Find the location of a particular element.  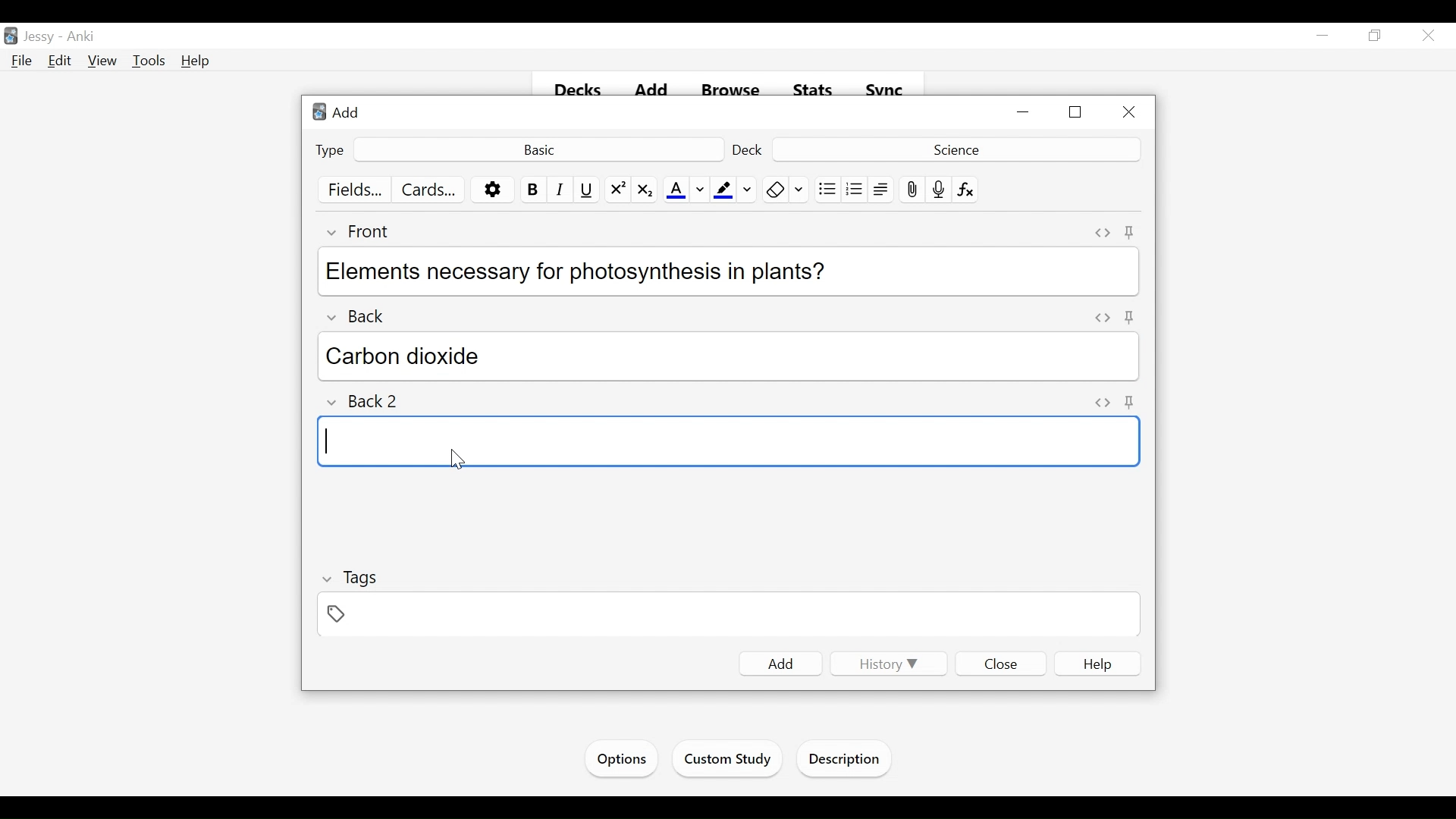

Superscript is located at coordinates (618, 190).